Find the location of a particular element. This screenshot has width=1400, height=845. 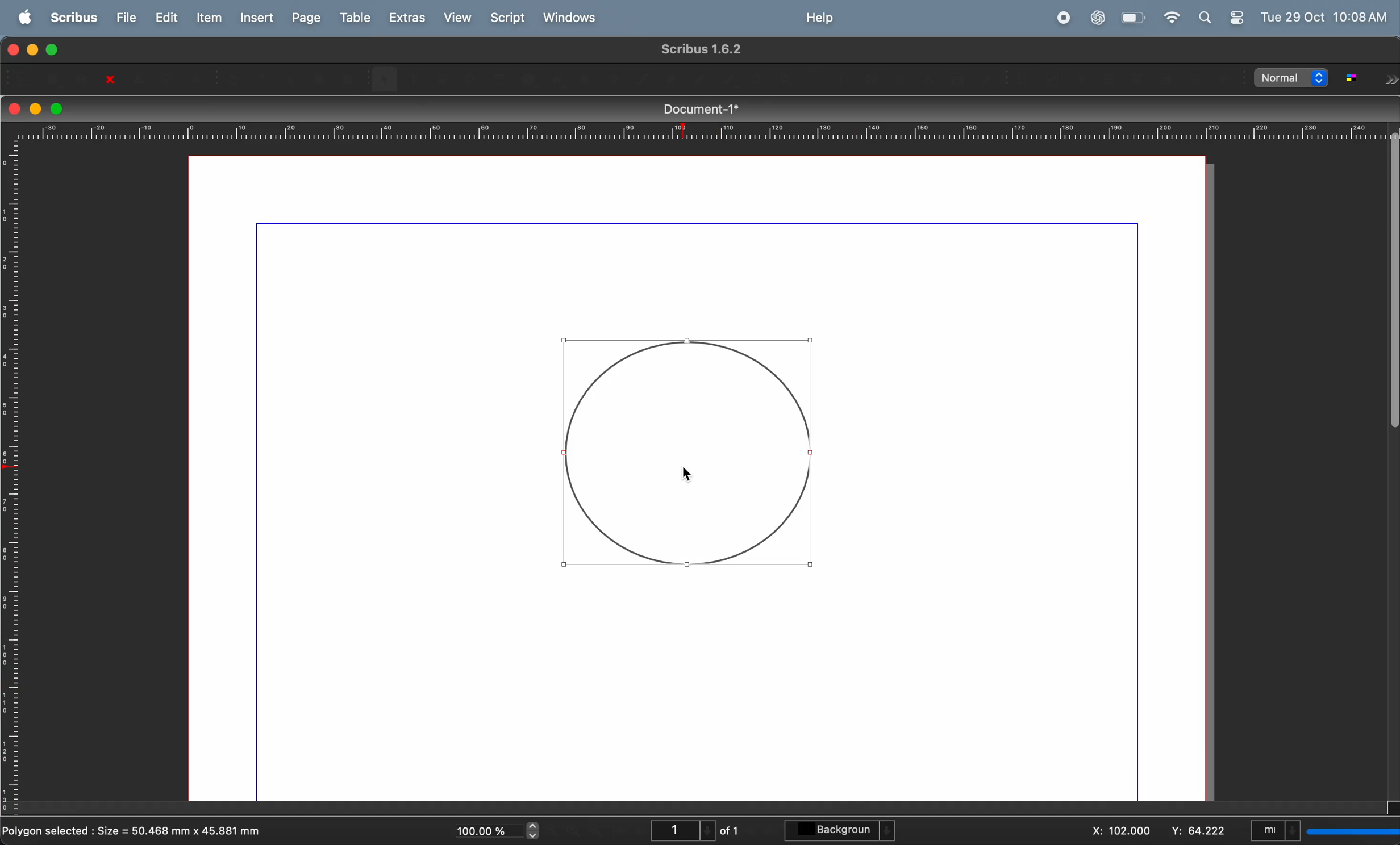

Scrollbar is located at coordinates (1391, 276).